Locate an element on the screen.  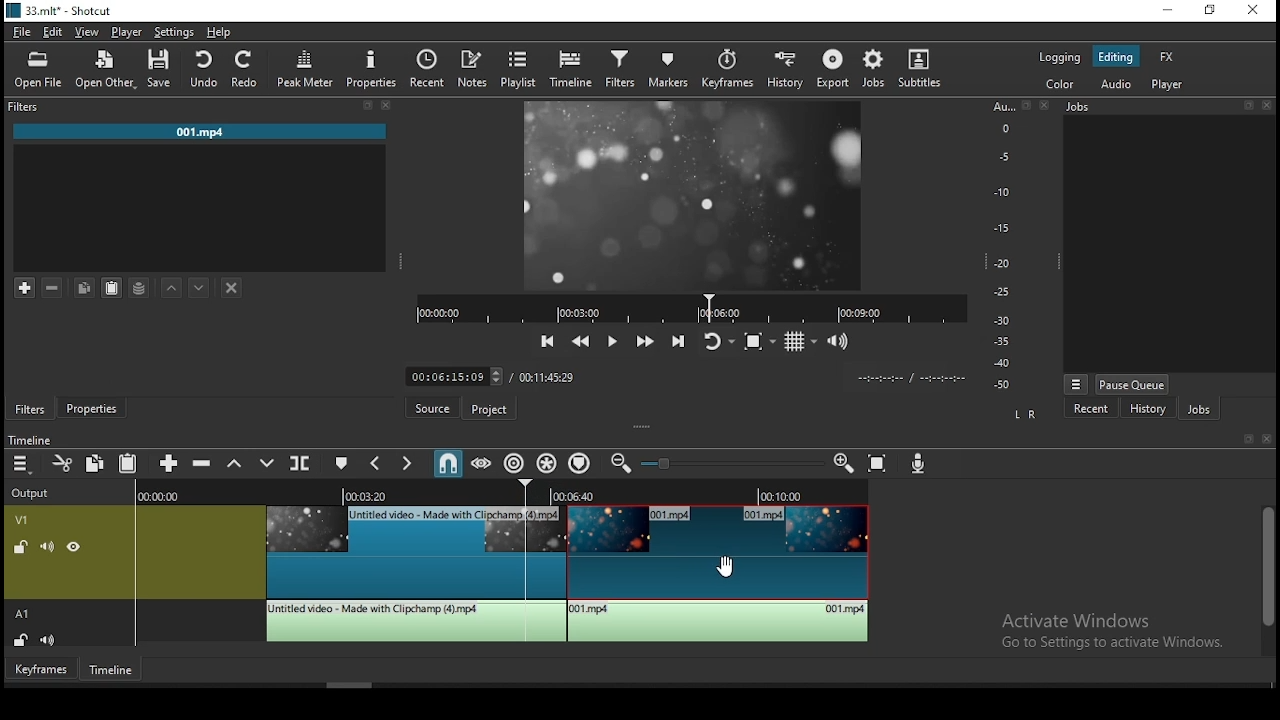
jobs is located at coordinates (1203, 412).